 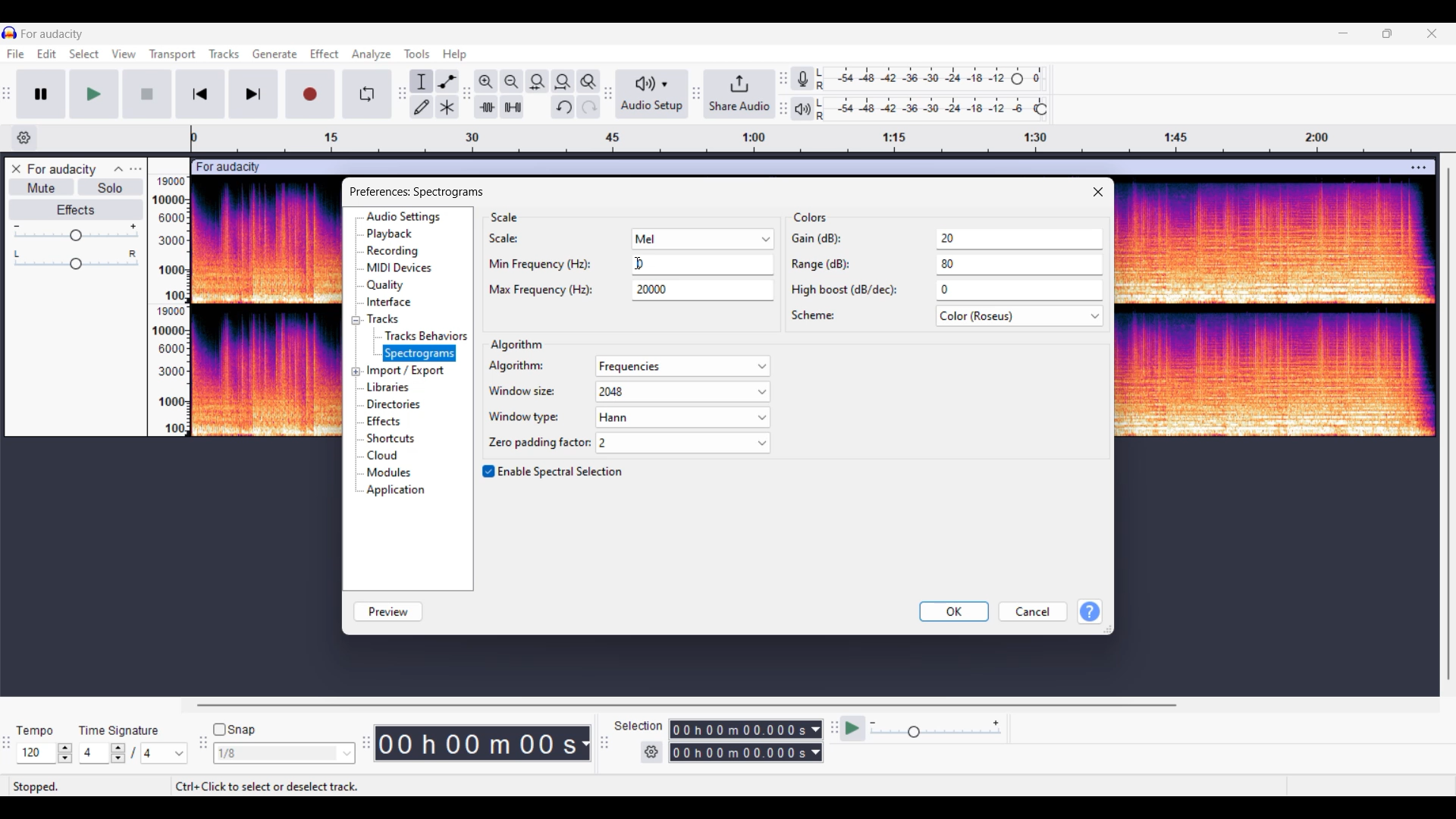 I want to click on Skip/Select to start, so click(x=201, y=94).